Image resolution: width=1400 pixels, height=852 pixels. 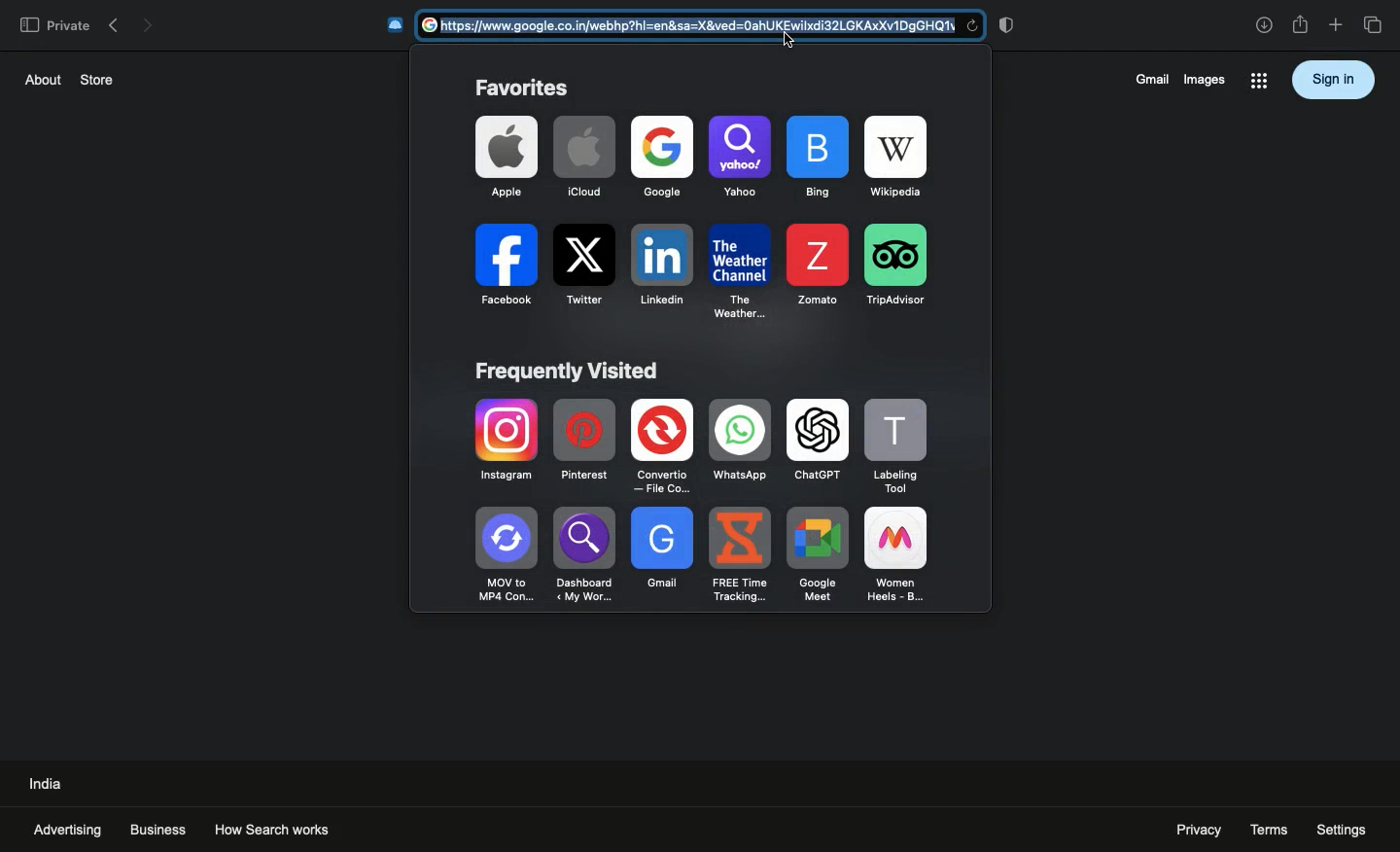 What do you see at coordinates (292, 826) in the screenshot?
I see `how search works` at bounding box center [292, 826].